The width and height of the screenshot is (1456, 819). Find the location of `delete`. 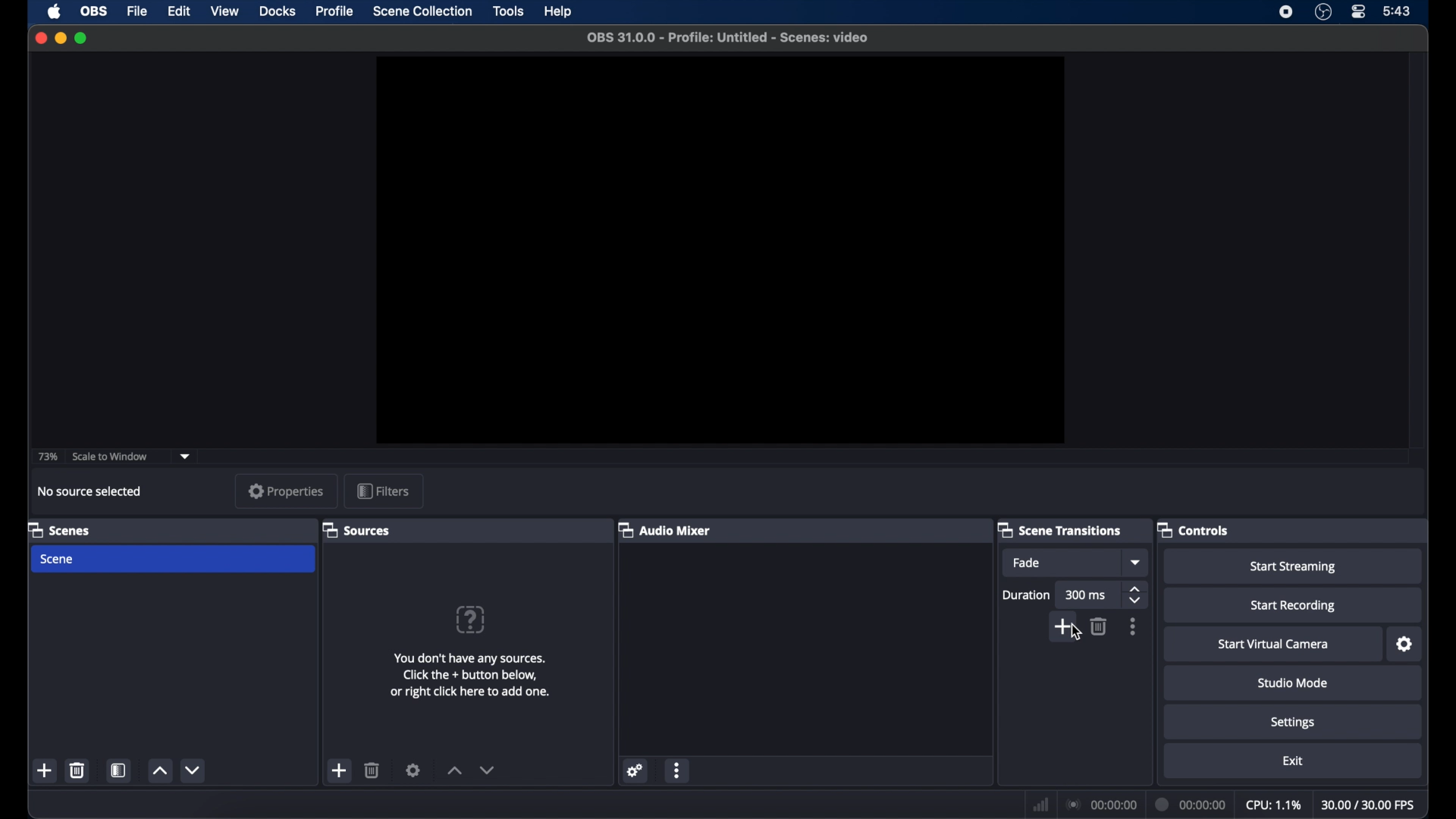

delete is located at coordinates (77, 771).